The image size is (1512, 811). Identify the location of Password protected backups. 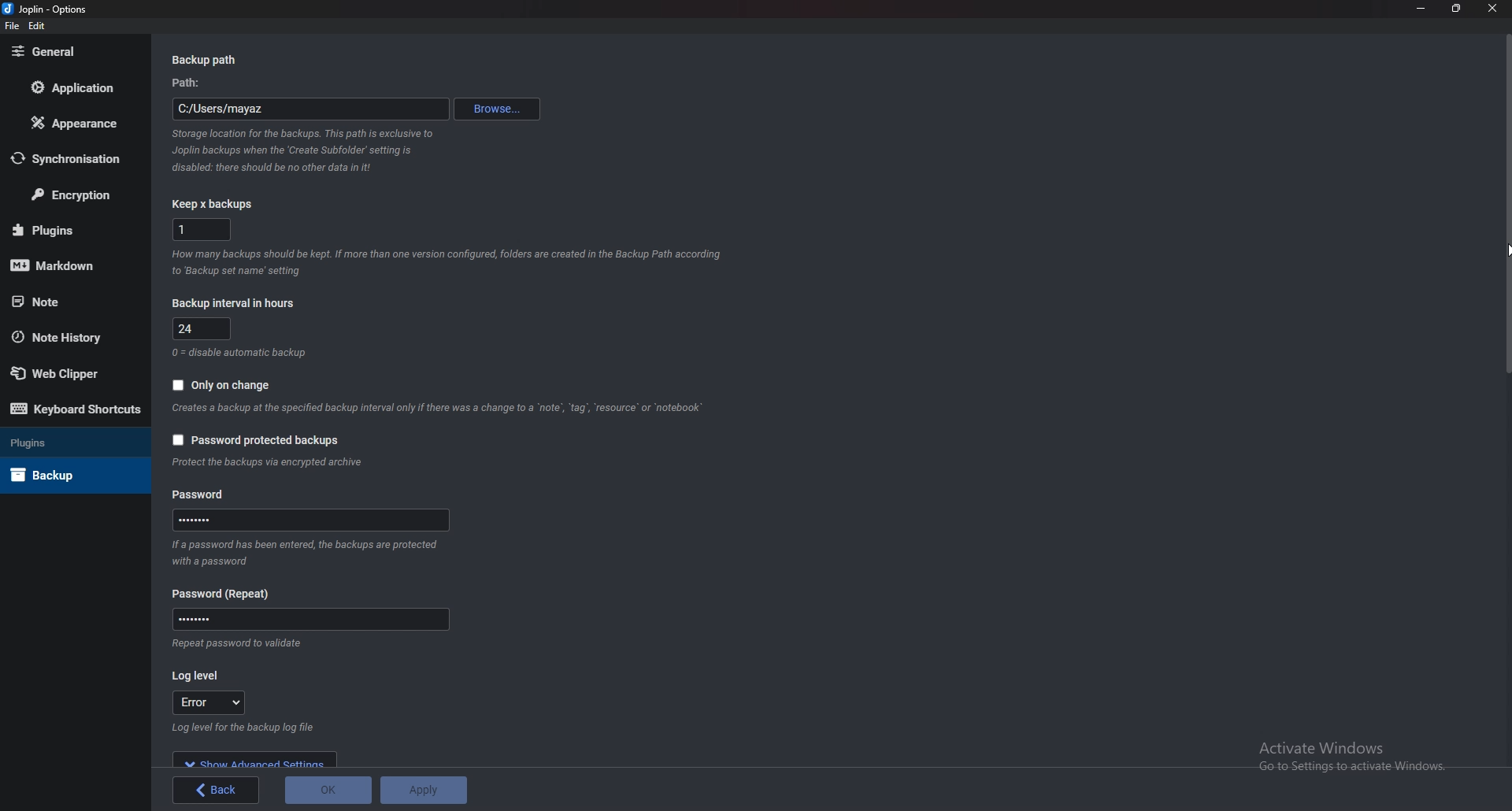
(258, 439).